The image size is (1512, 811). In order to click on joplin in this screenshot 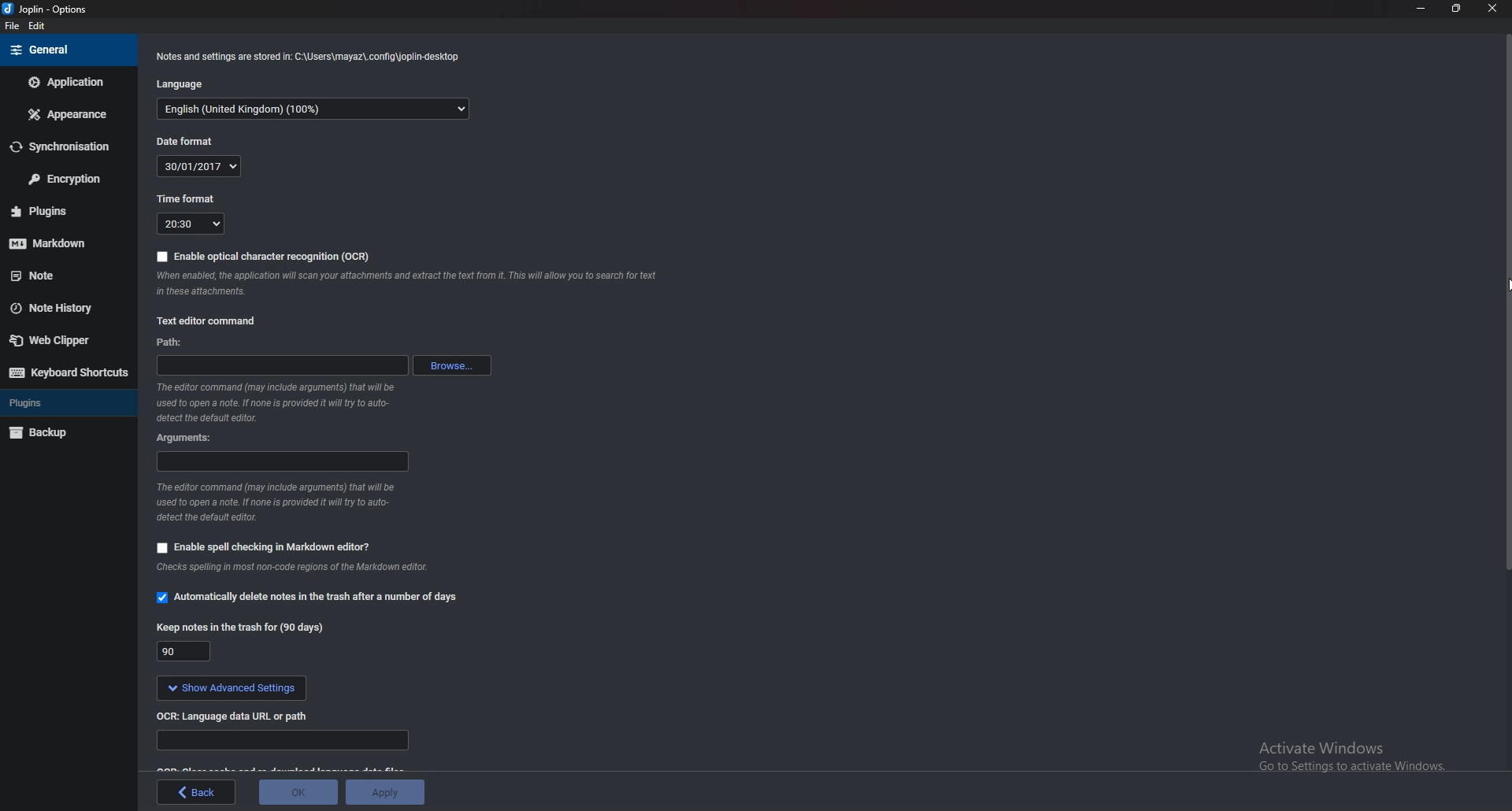, I will do `click(51, 9)`.